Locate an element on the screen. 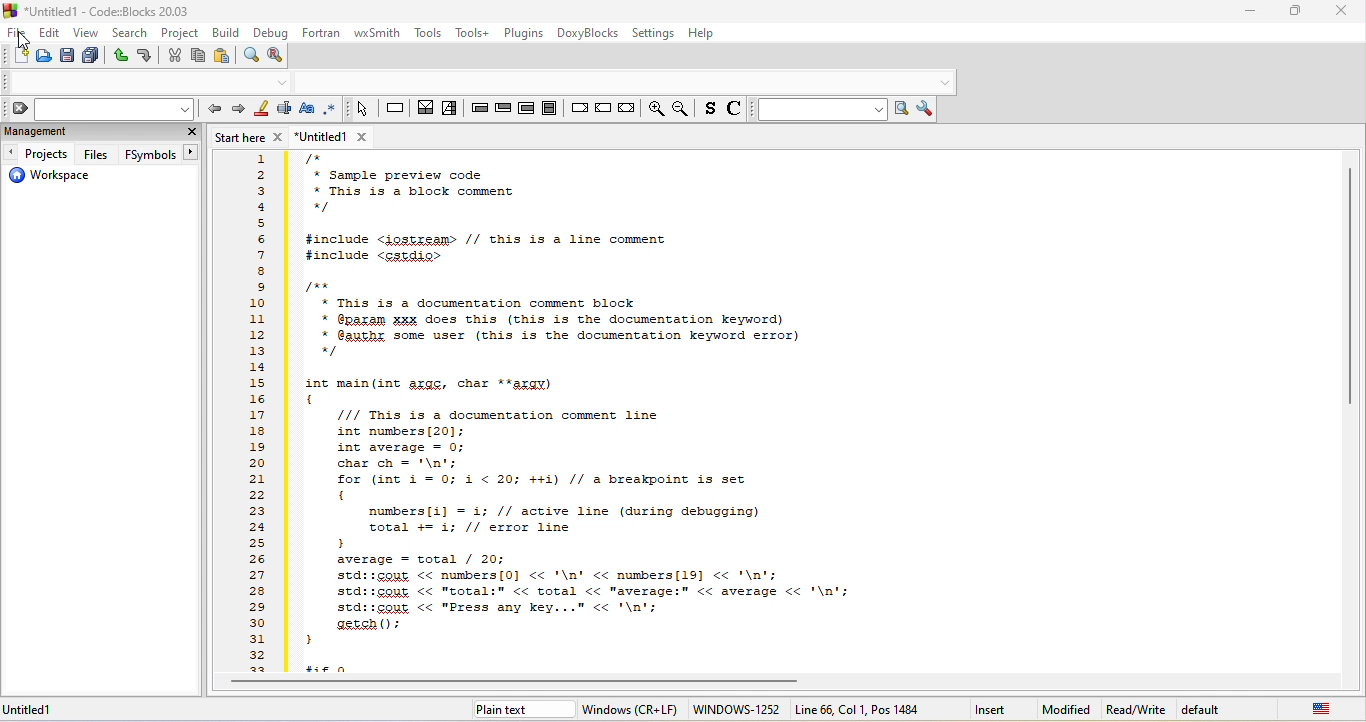 The image size is (1366, 722). debug is located at coordinates (270, 34).